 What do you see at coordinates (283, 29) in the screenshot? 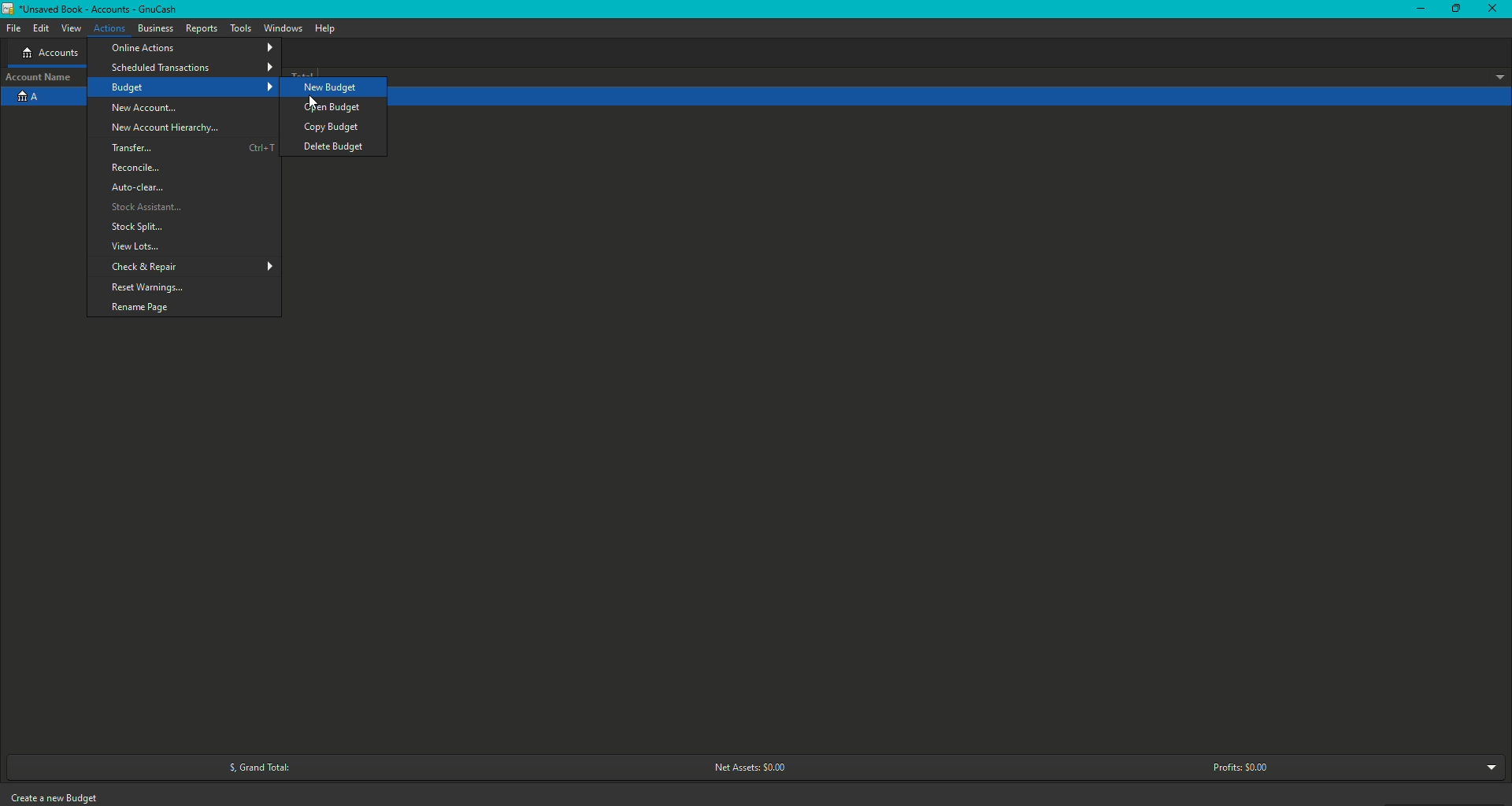
I see `Windows` at bounding box center [283, 29].